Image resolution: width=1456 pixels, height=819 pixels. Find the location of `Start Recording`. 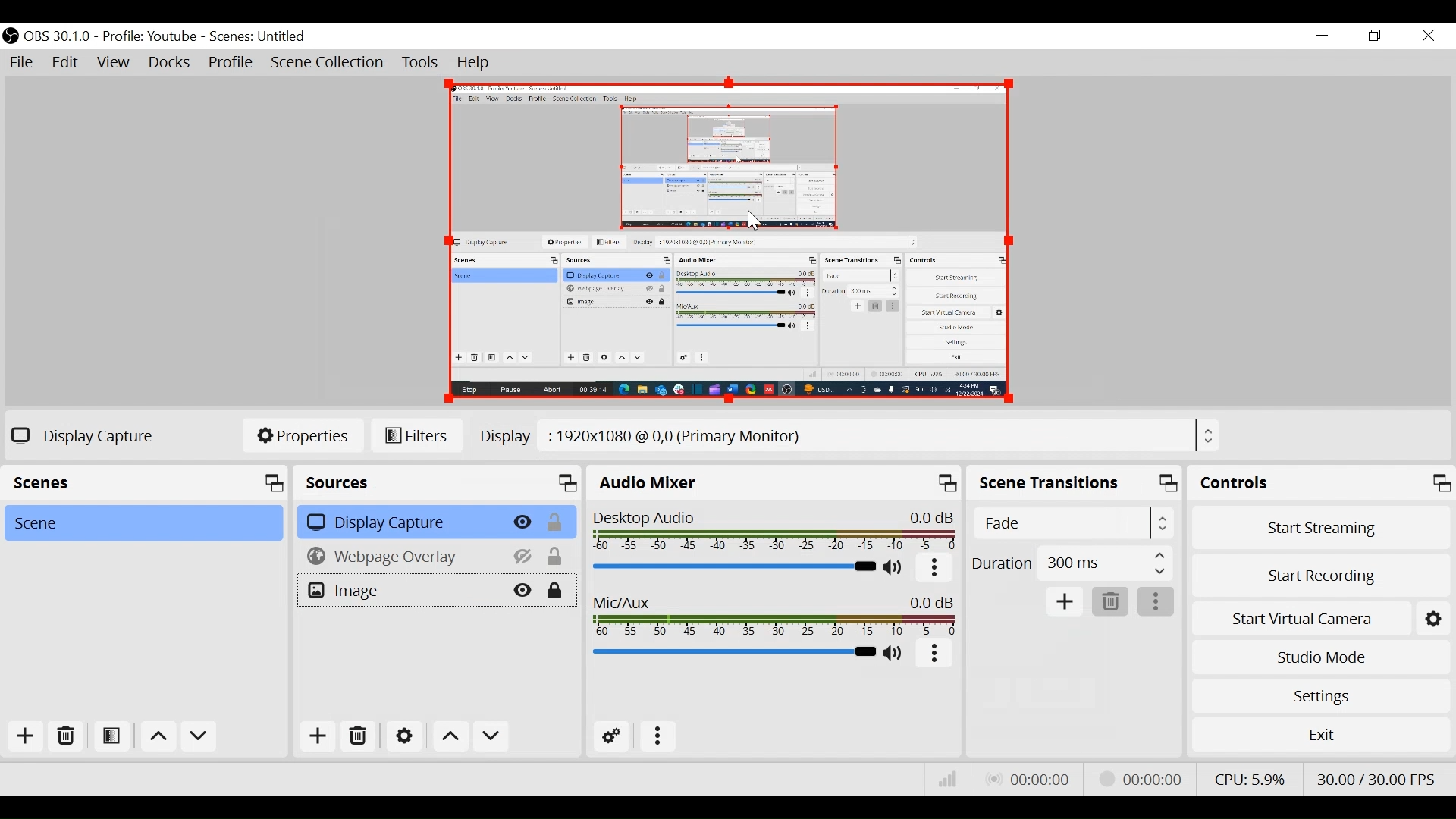

Start Recording is located at coordinates (1321, 578).